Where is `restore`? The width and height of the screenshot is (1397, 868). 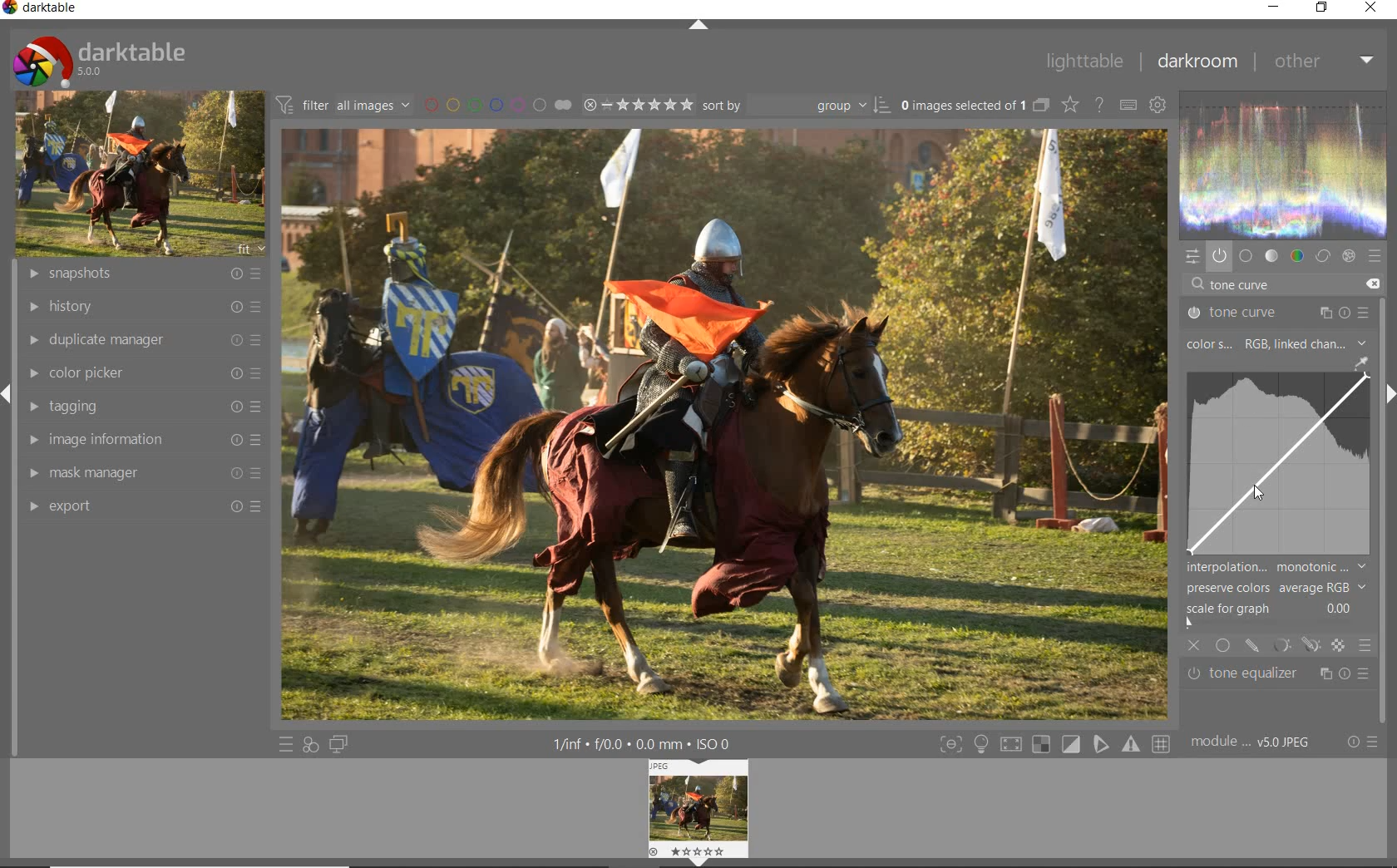 restore is located at coordinates (1322, 7).